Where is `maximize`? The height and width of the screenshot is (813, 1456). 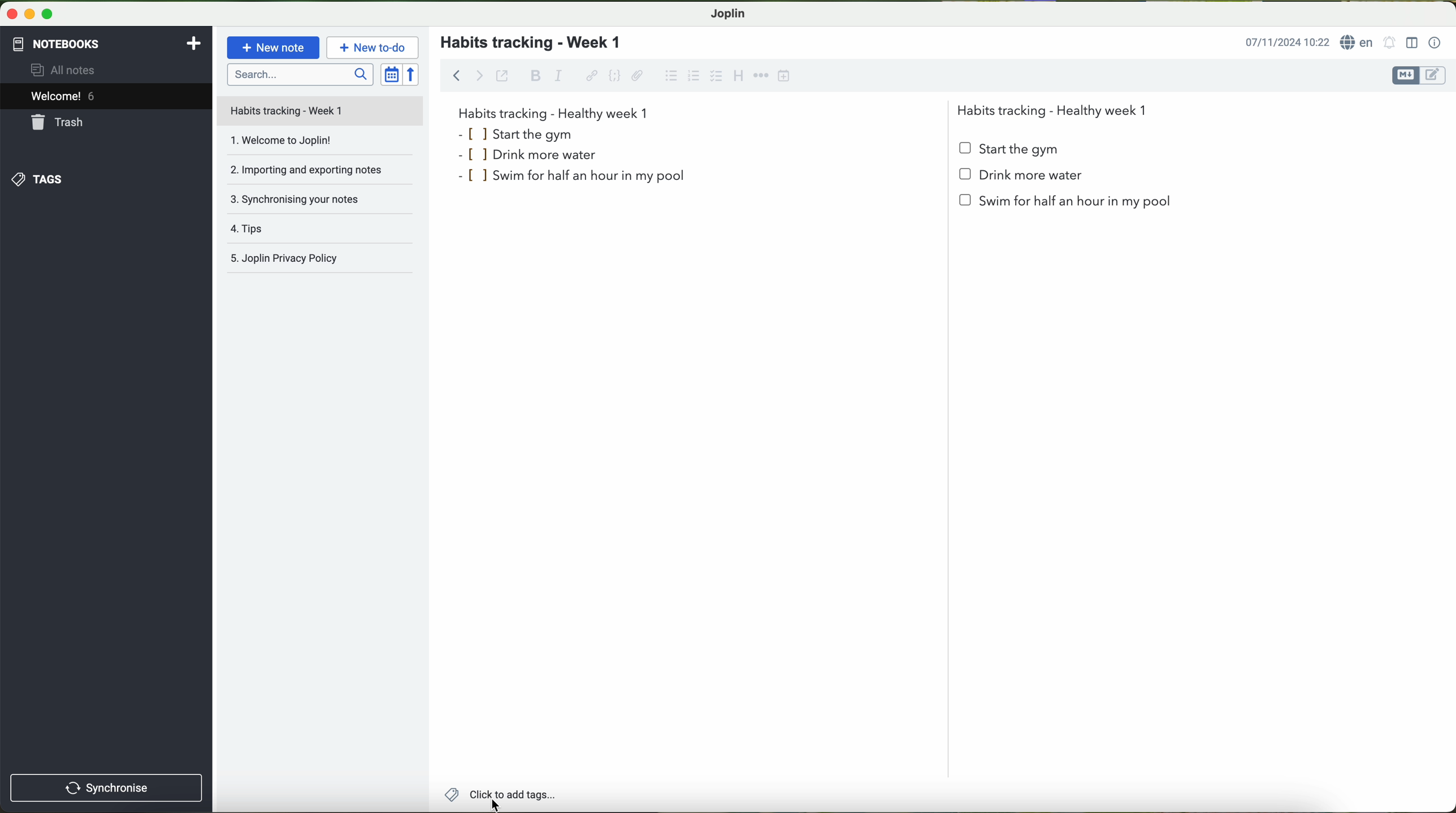 maximize is located at coordinates (48, 14).